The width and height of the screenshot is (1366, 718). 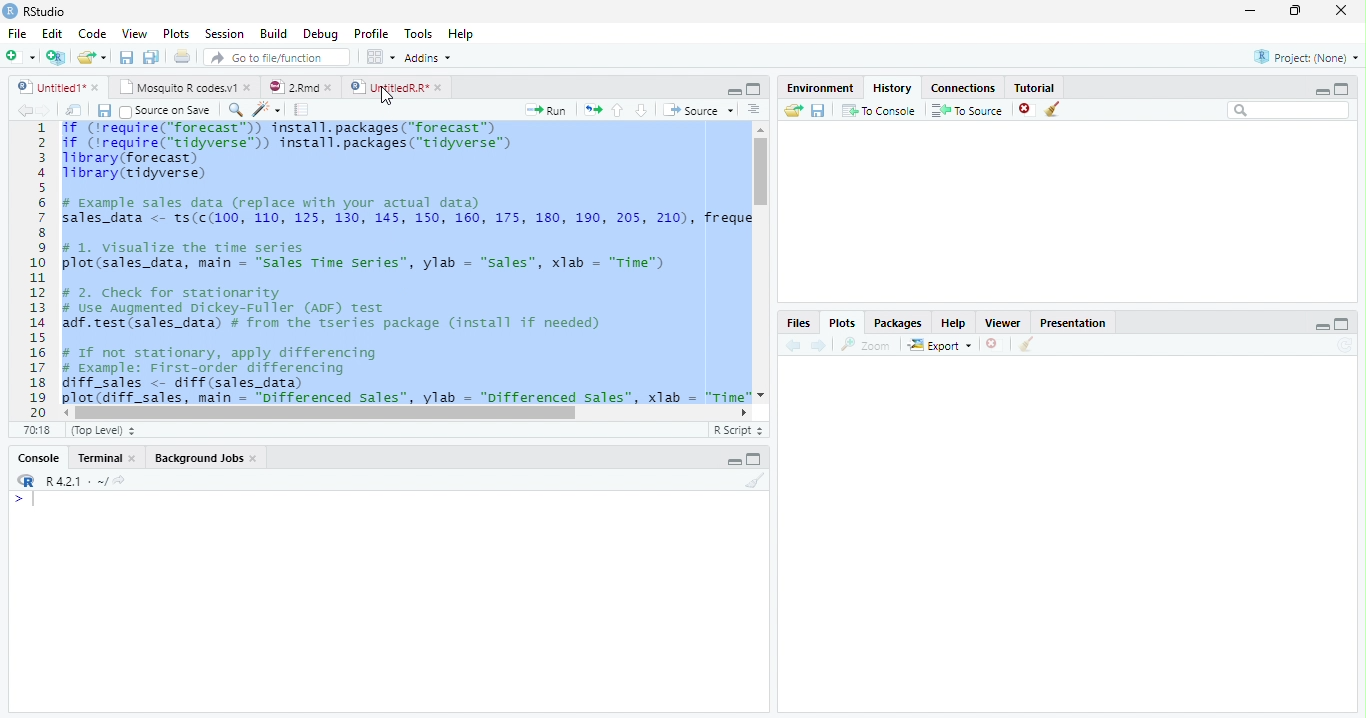 I want to click on Scroll, so click(x=761, y=262).